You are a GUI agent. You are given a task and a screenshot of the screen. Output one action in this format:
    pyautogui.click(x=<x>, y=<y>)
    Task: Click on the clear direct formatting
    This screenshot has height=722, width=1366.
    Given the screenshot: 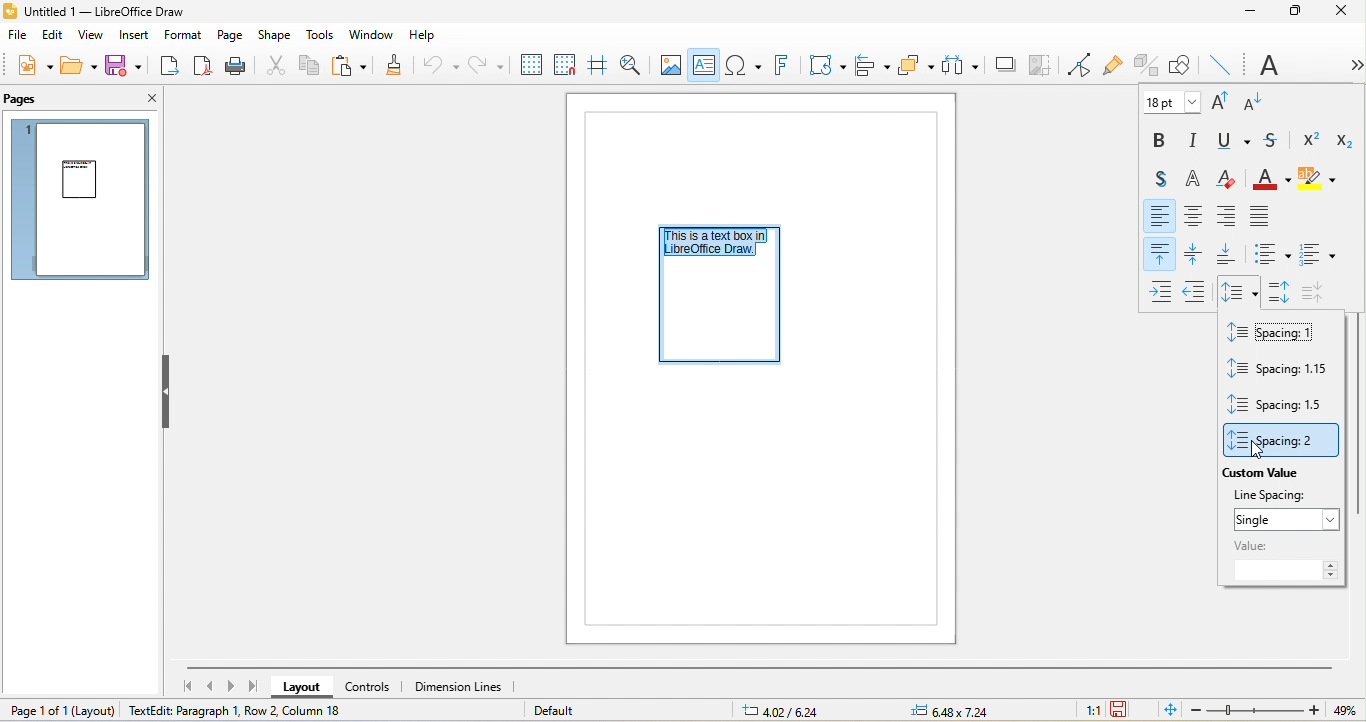 What is the action you would take?
    pyautogui.click(x=1232, y=178)
    